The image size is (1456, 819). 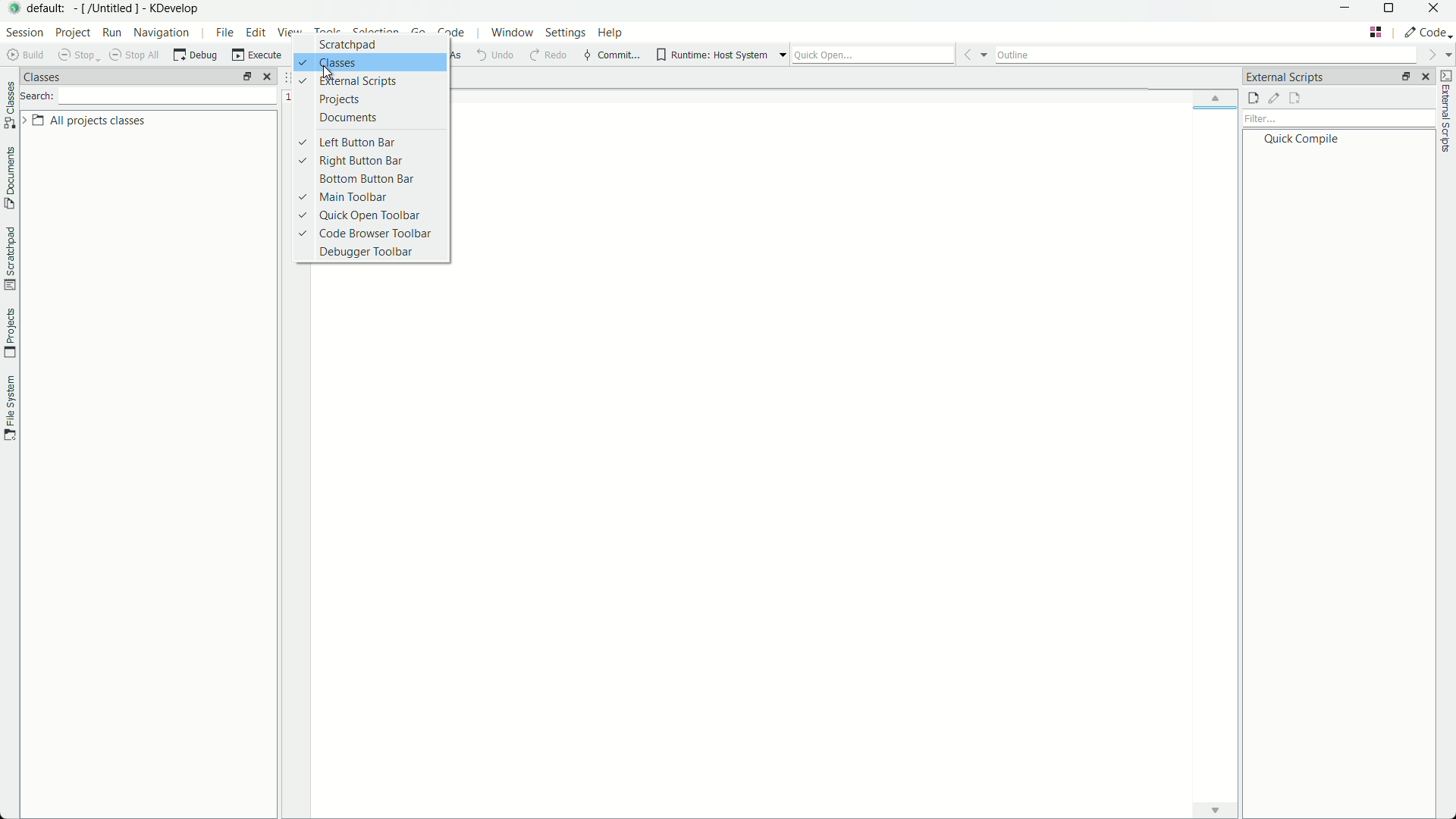 I want to click on remove external scripts, so click(x=1294, y=99).